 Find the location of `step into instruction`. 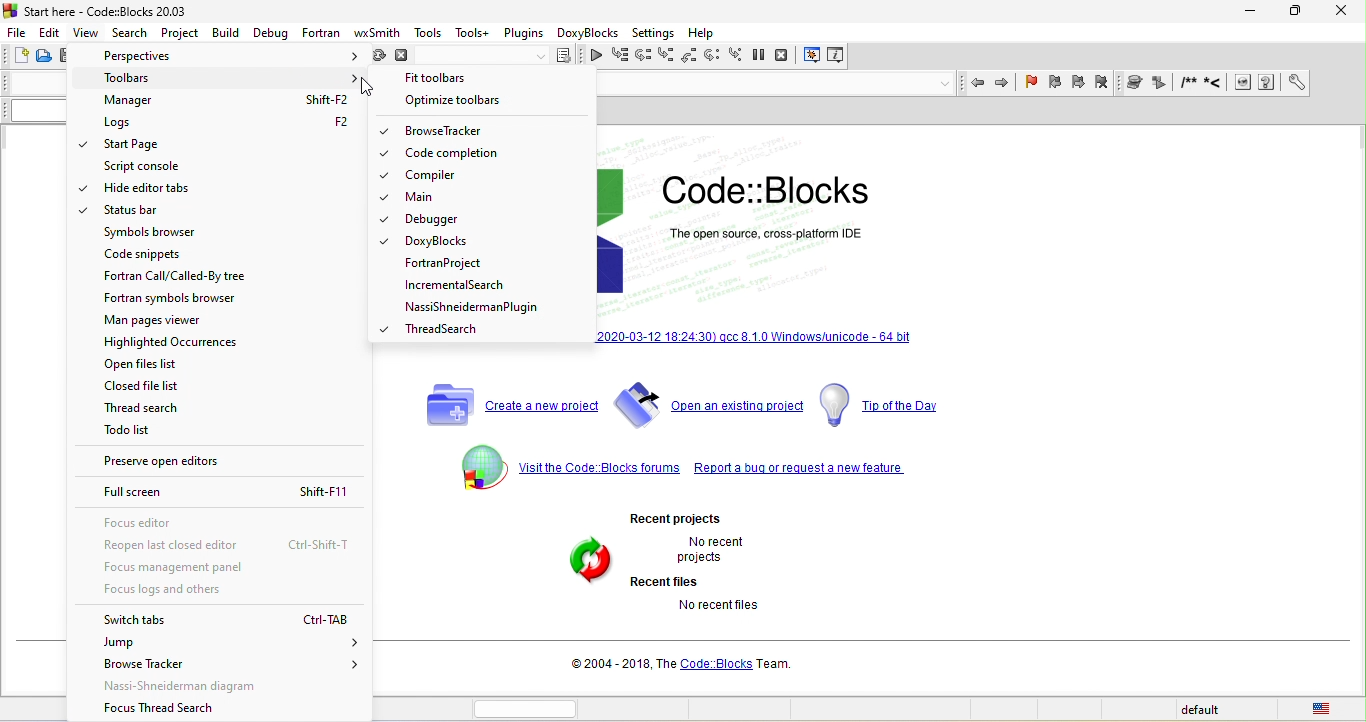

step into instruction is located at coordinates (734, 56).